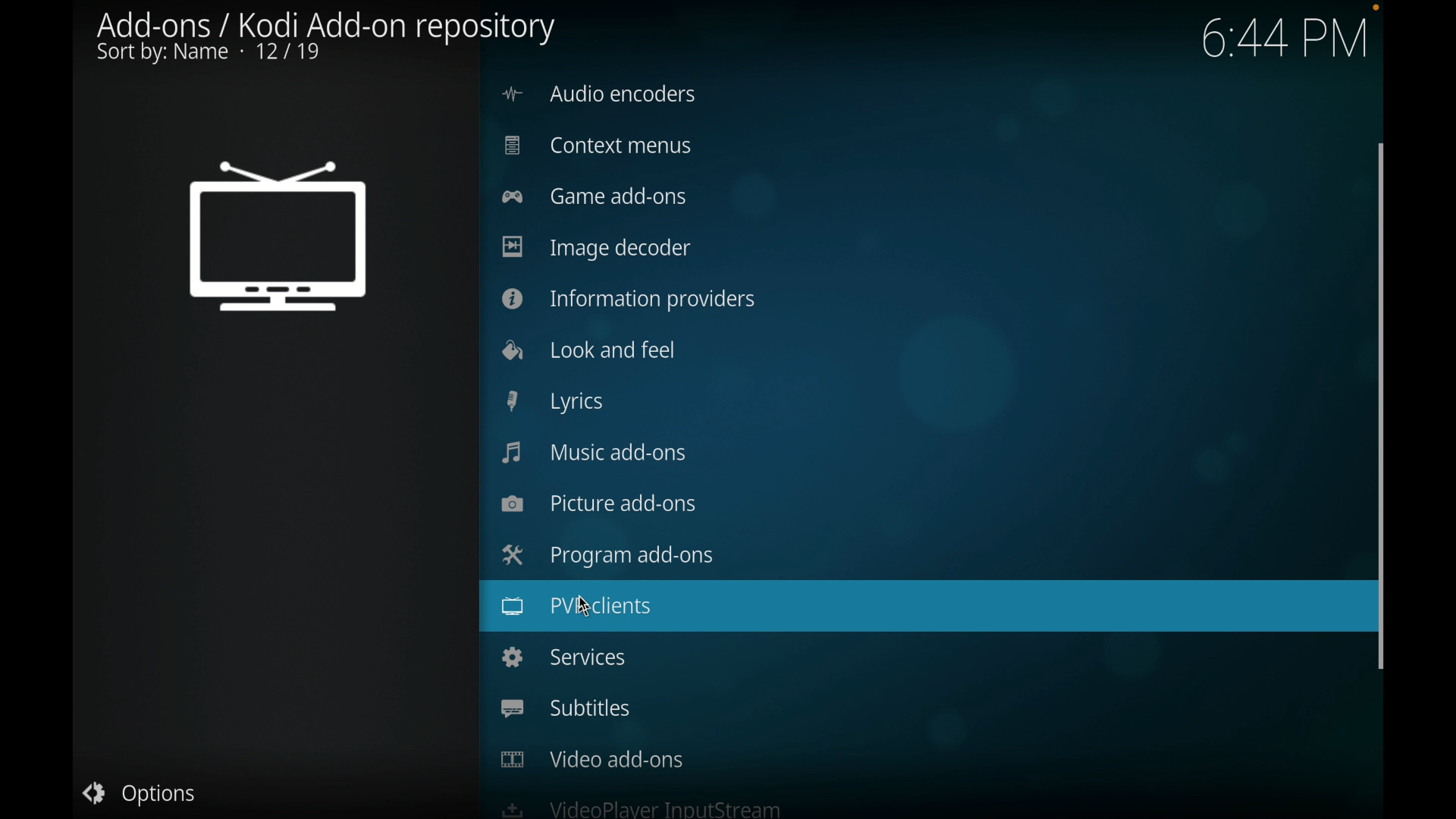 The image size is (1456, 819). Describe the element at coordinates (595, 453) in the screenshot. I see `music add-ons` at that location.